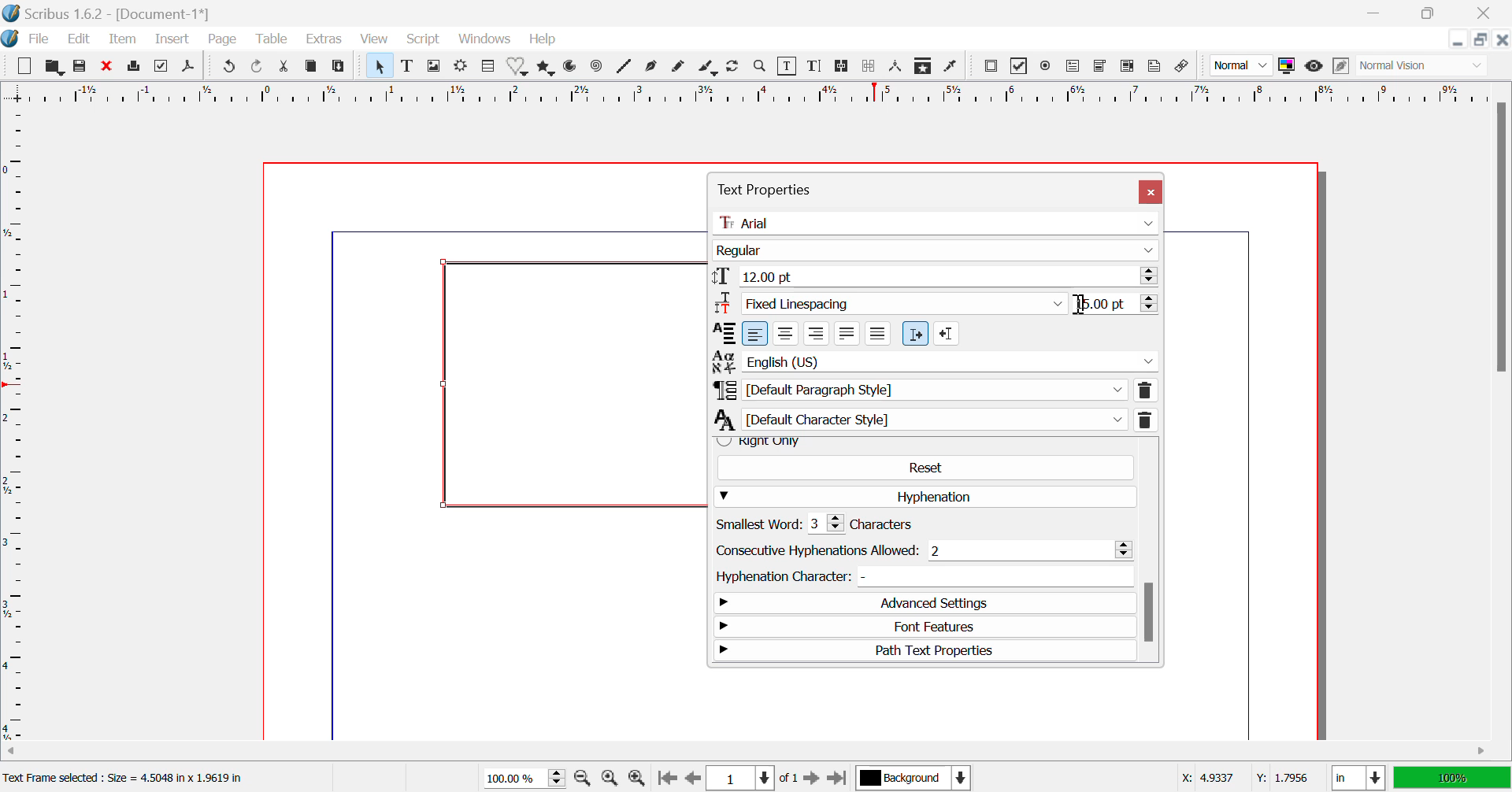 Image resolution: width=1512 pixels, height=792 pixels. What do you see at coordinates (878, 334) in the screenshot?
I see `Forced justified` at bounding box center [878, 334].